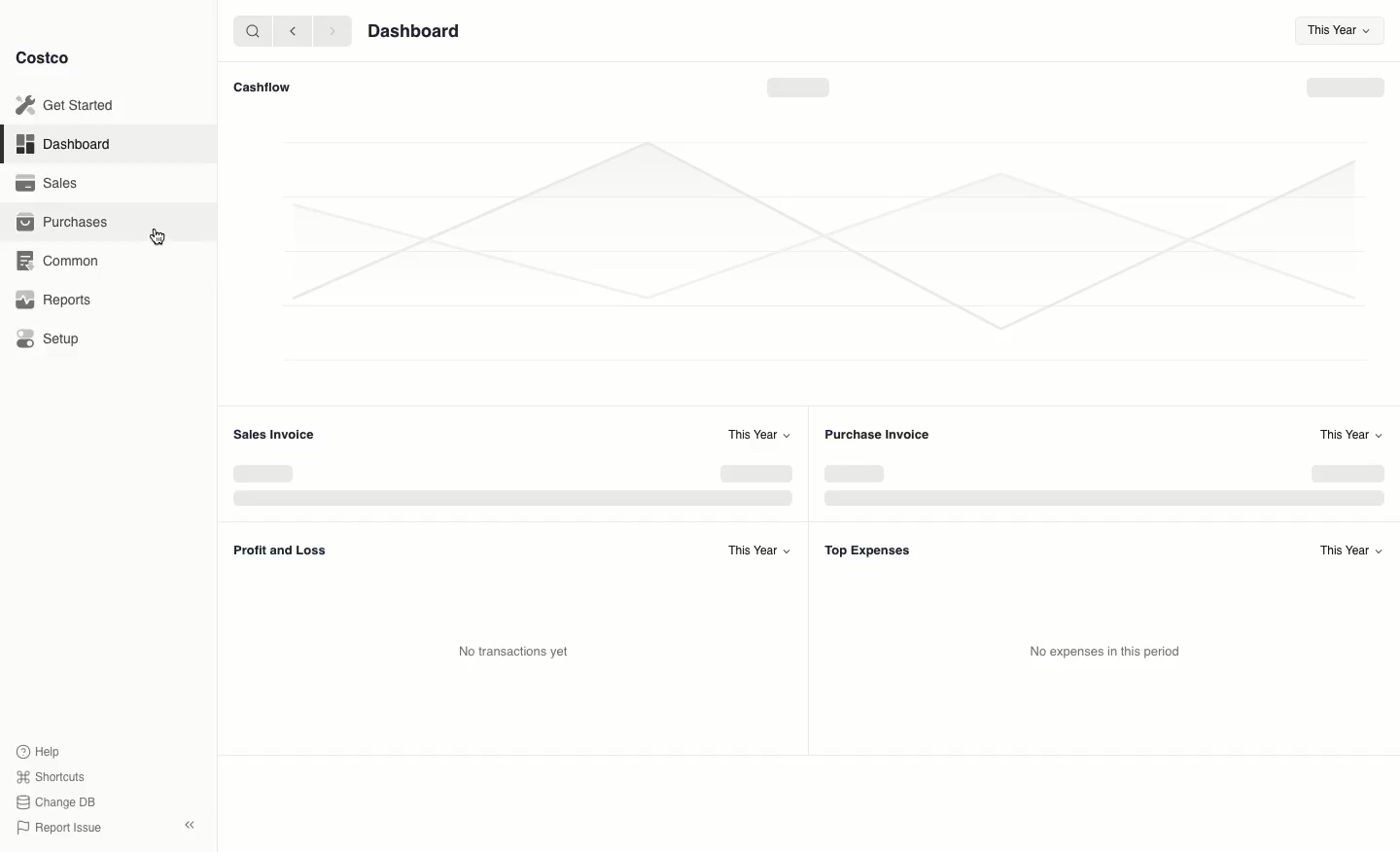  I want to click on Sales Invoice, so click(272, 433).